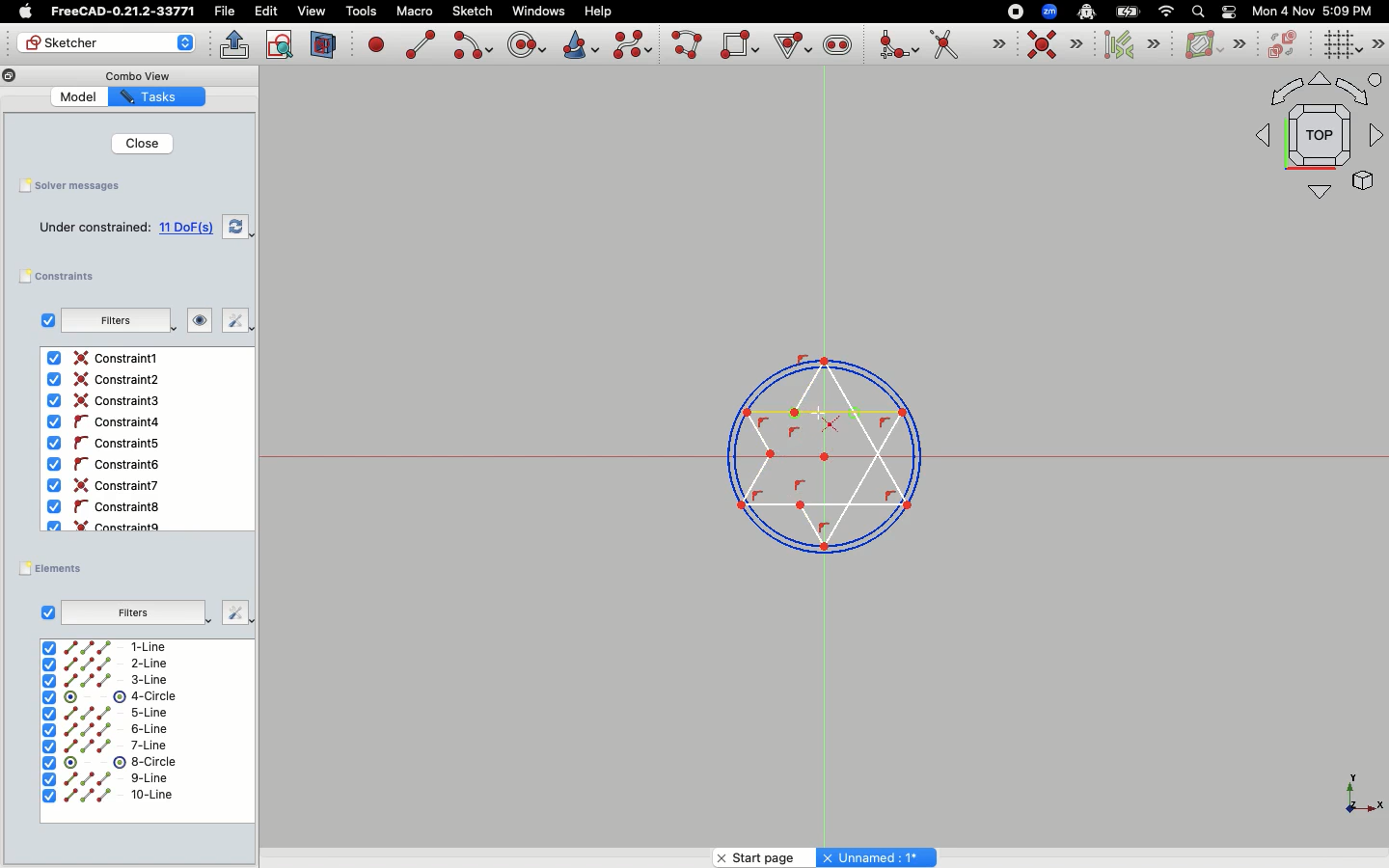  I want to click on Zoom, so click(1050, 12).